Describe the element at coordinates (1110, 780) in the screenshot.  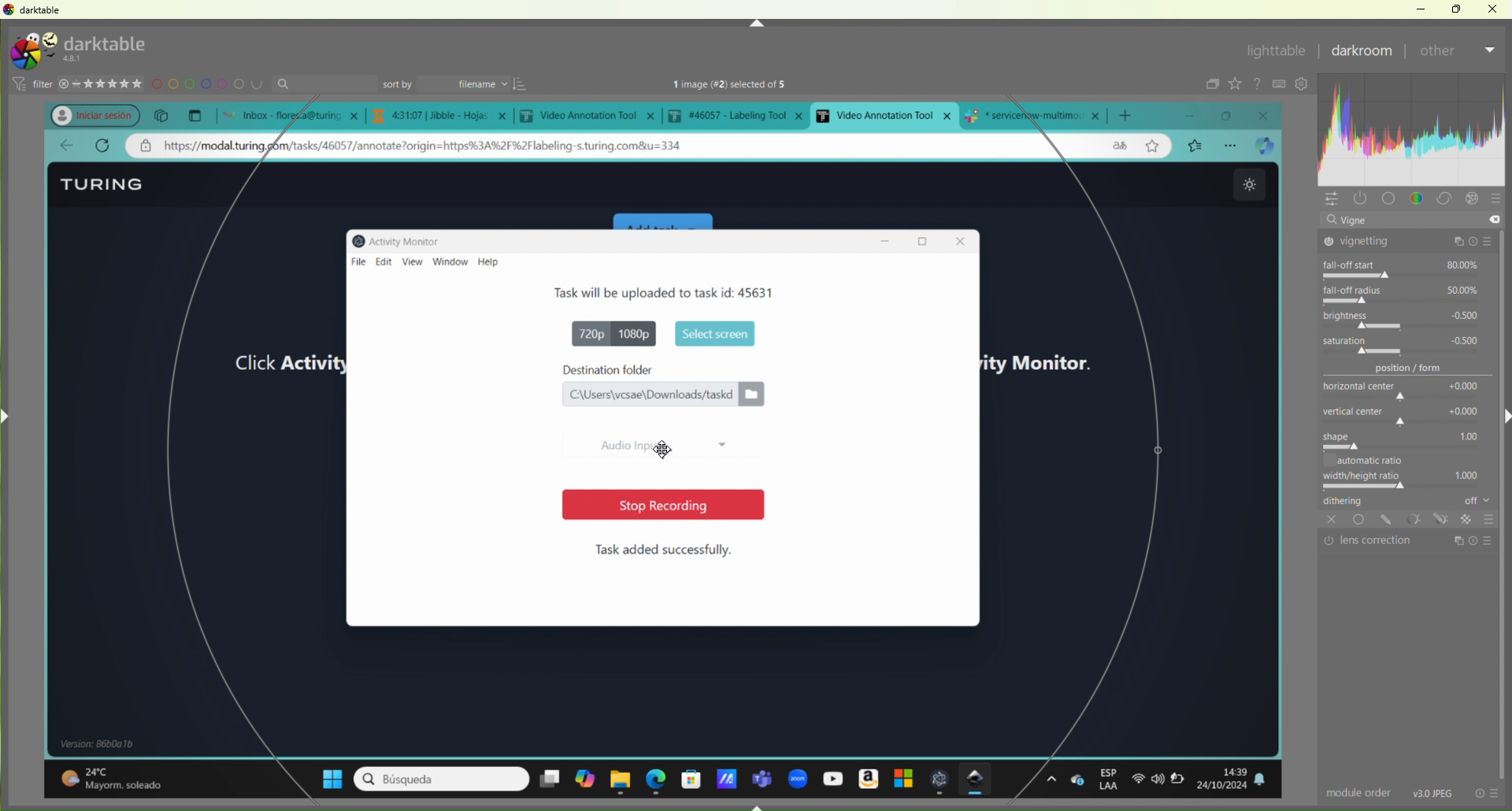
I see `esp Laa` at that location.